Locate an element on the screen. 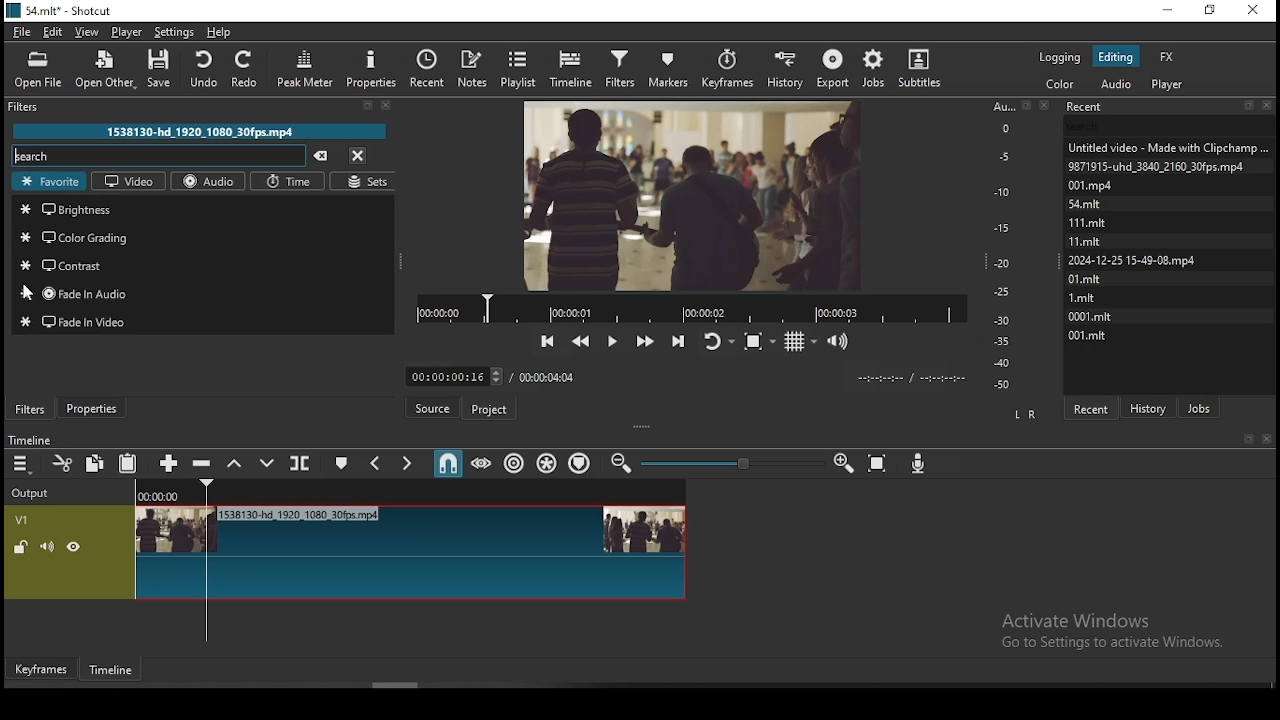  clear search is located at coordinates (320, 157).